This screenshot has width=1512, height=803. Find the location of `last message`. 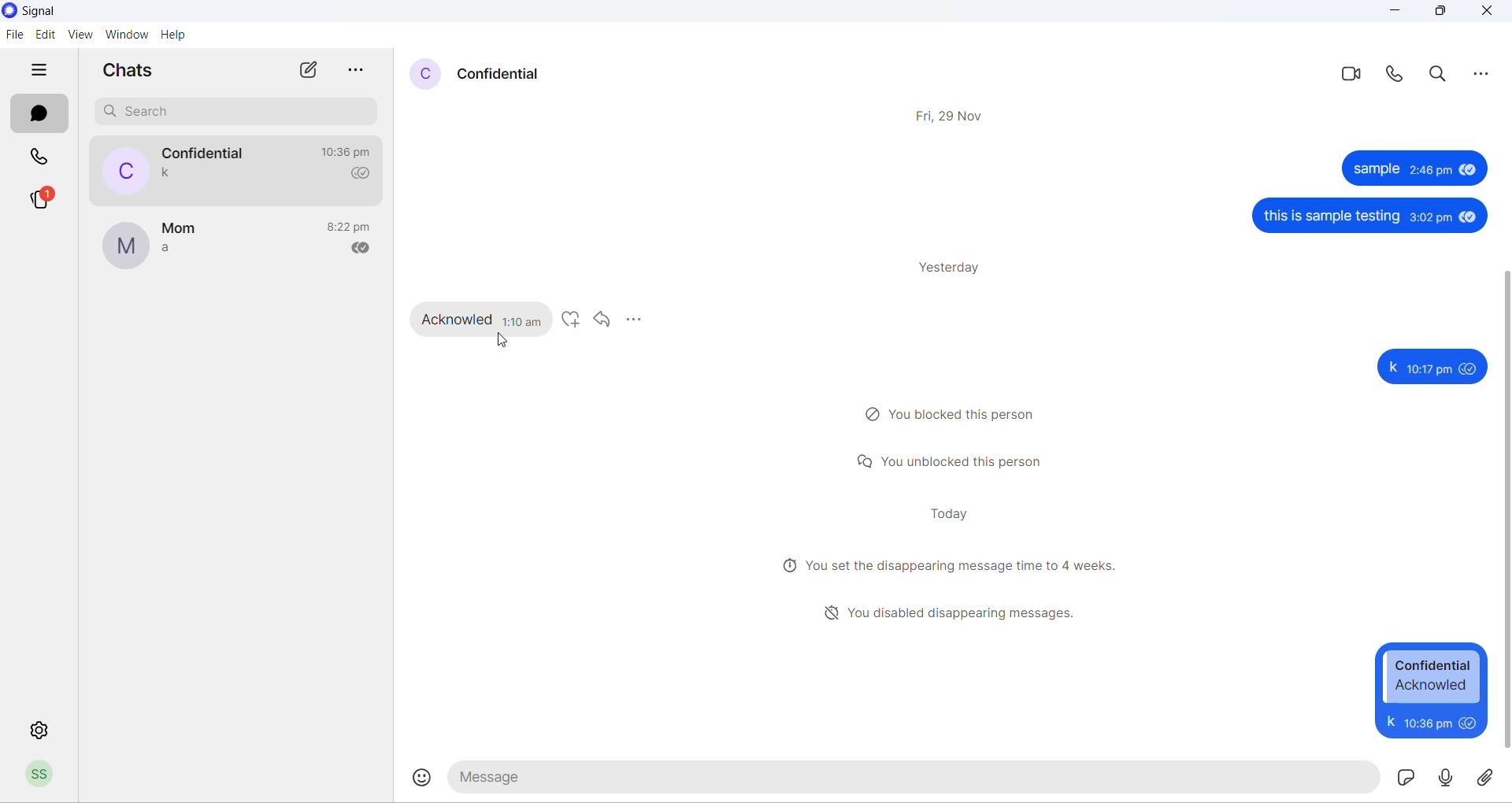

last message is located at coordinates (179, 253).